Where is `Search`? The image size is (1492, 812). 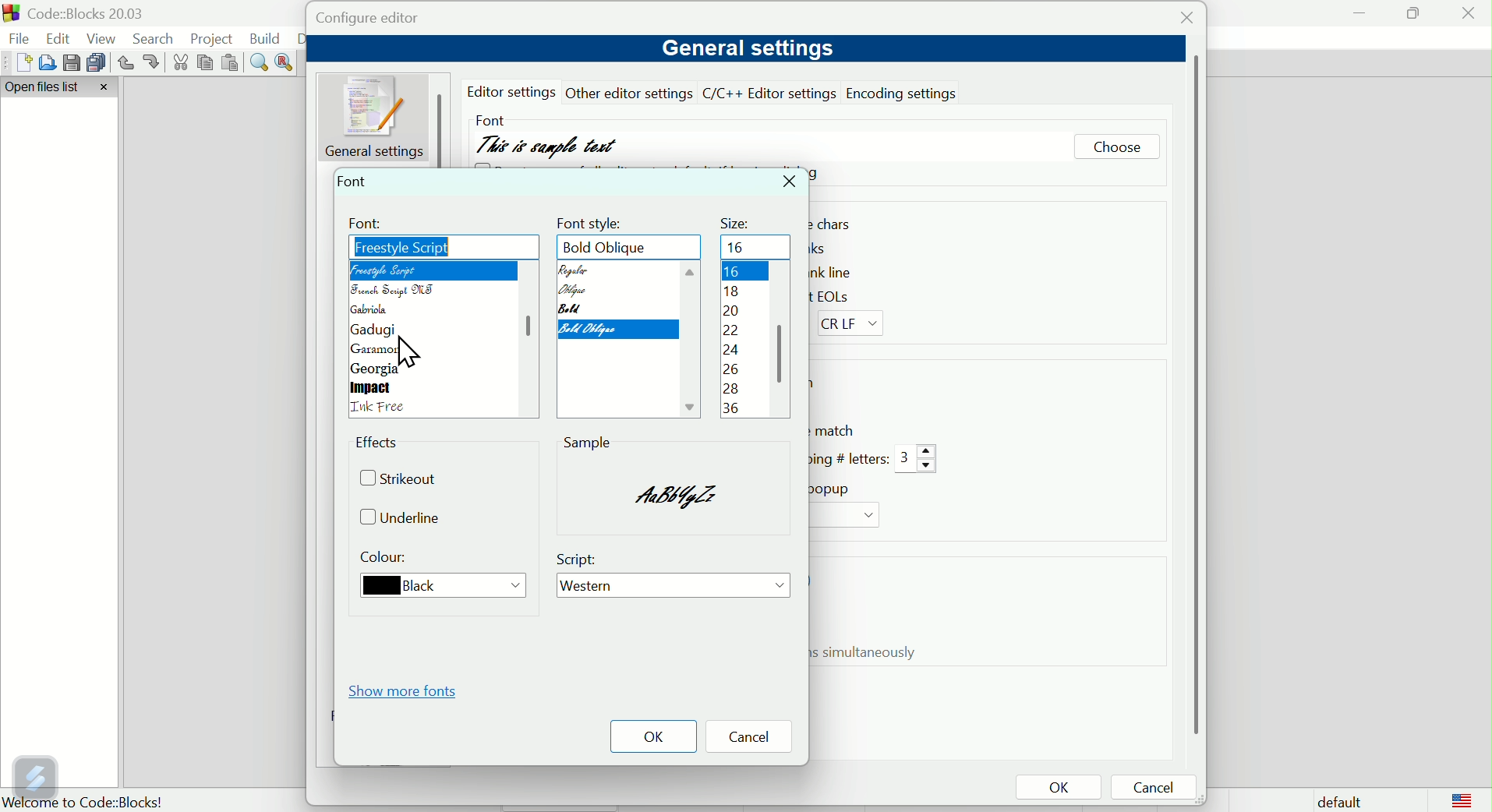
Search is located at coordinates (157, 39).